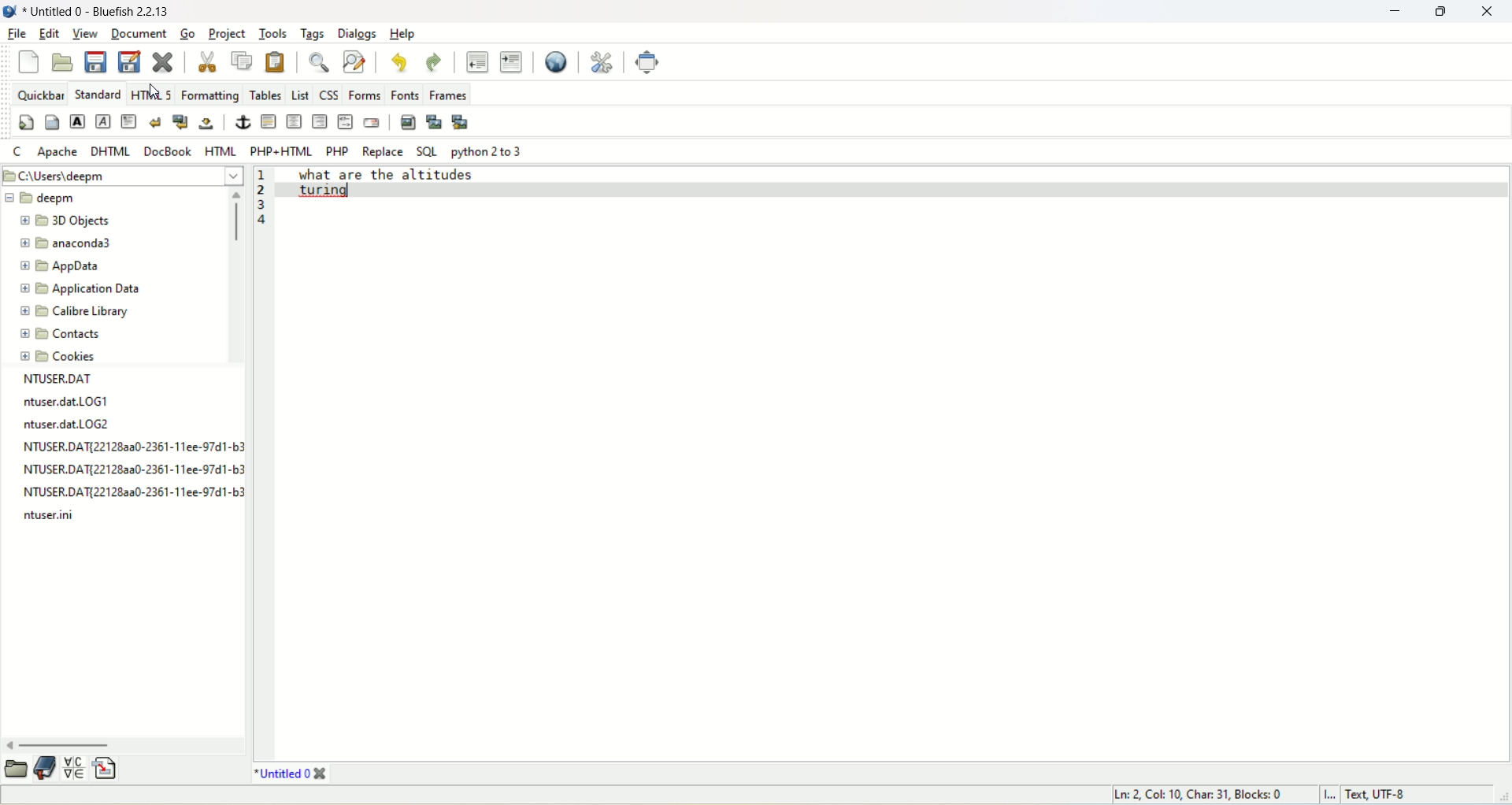 The image size is (1512, 805). What do you see at coordinates (28, 62) in the screenshot?
I see `new` at bounding box center [28, 62].